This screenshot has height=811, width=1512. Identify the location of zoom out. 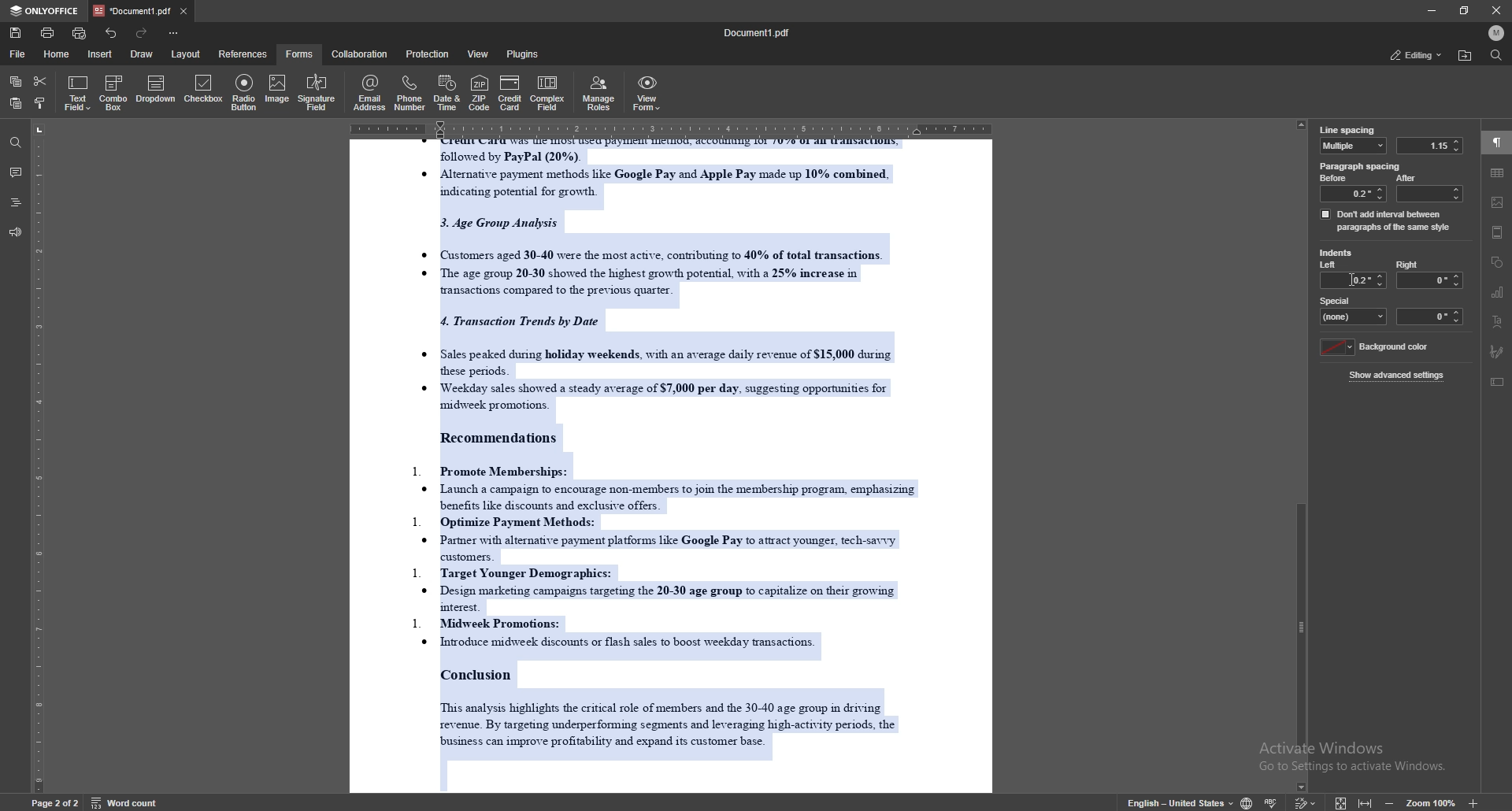
(1392, 801).